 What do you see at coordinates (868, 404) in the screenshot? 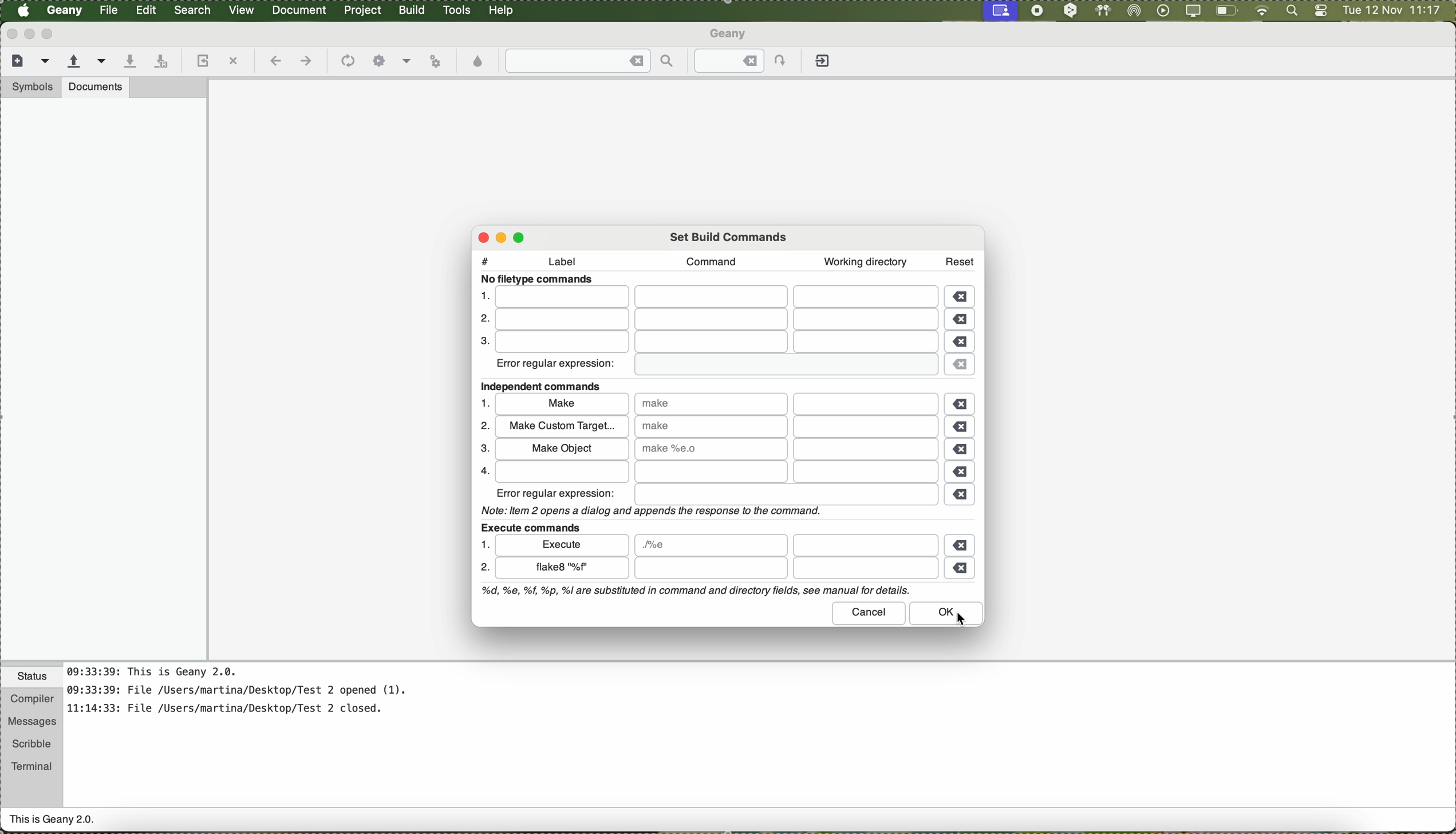
I see `file` at bounding box center [868, 404].